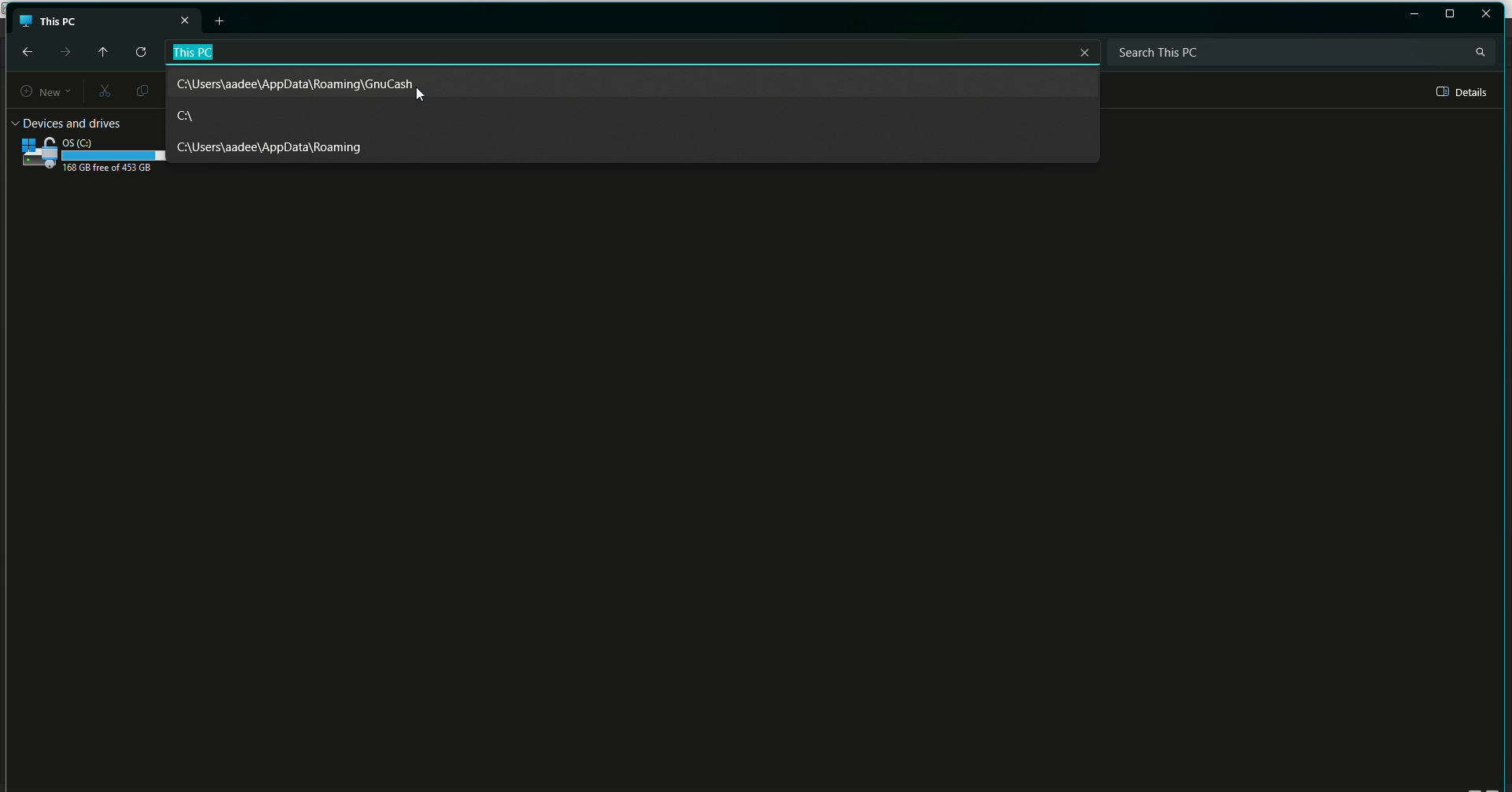 The height and width of the screenshot is (792, 1512). I want to click on C Drive, so click(89, 149).